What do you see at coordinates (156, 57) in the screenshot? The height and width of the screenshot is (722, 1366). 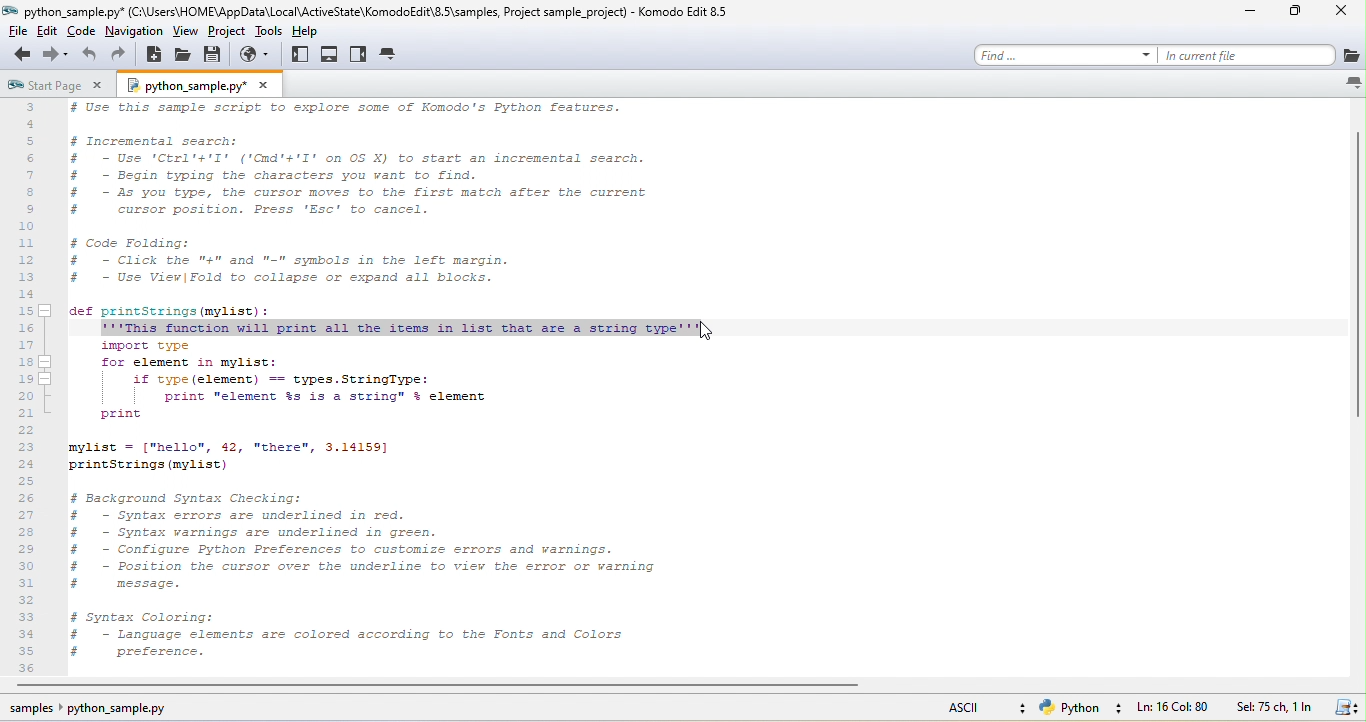 I see `new` at bounding box center [156, 57].